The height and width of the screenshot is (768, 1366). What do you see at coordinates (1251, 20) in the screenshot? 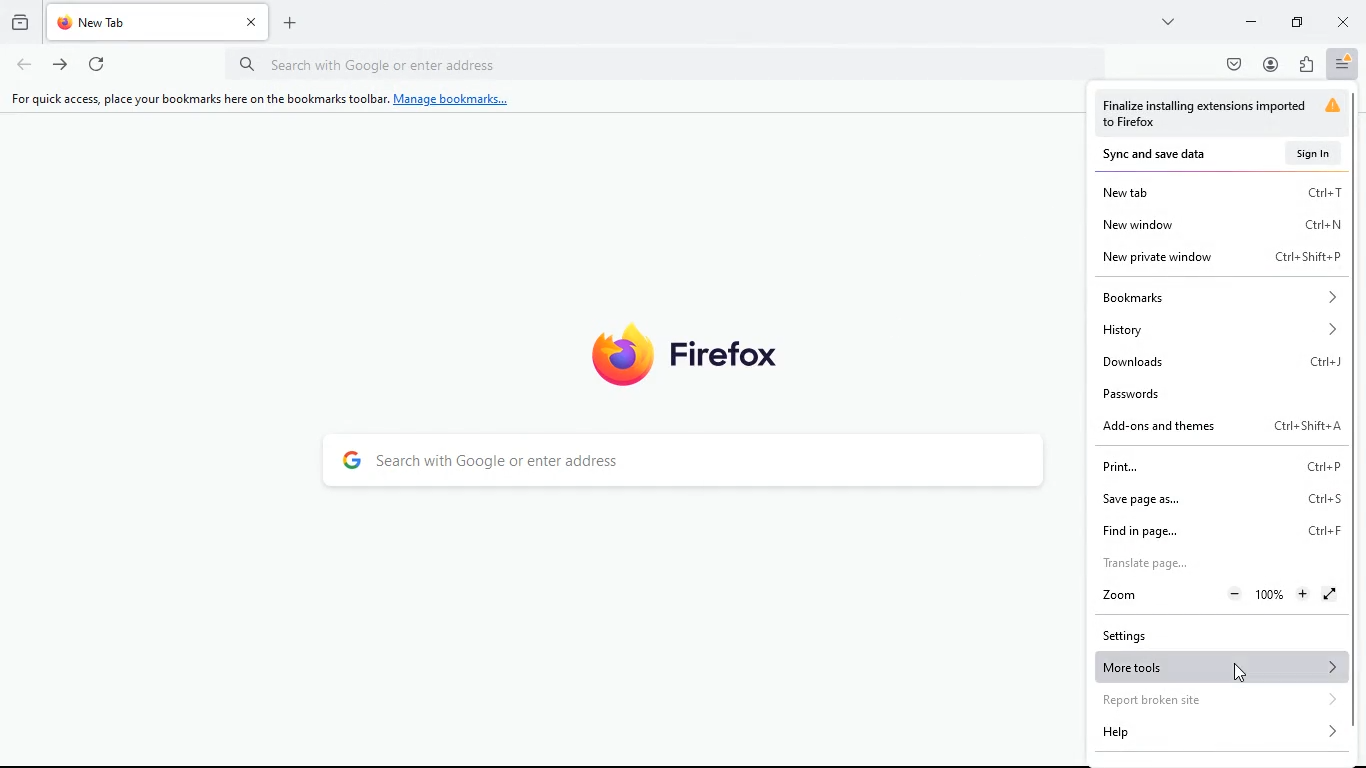
I see `minimize` at bounding box center [1251, 20].